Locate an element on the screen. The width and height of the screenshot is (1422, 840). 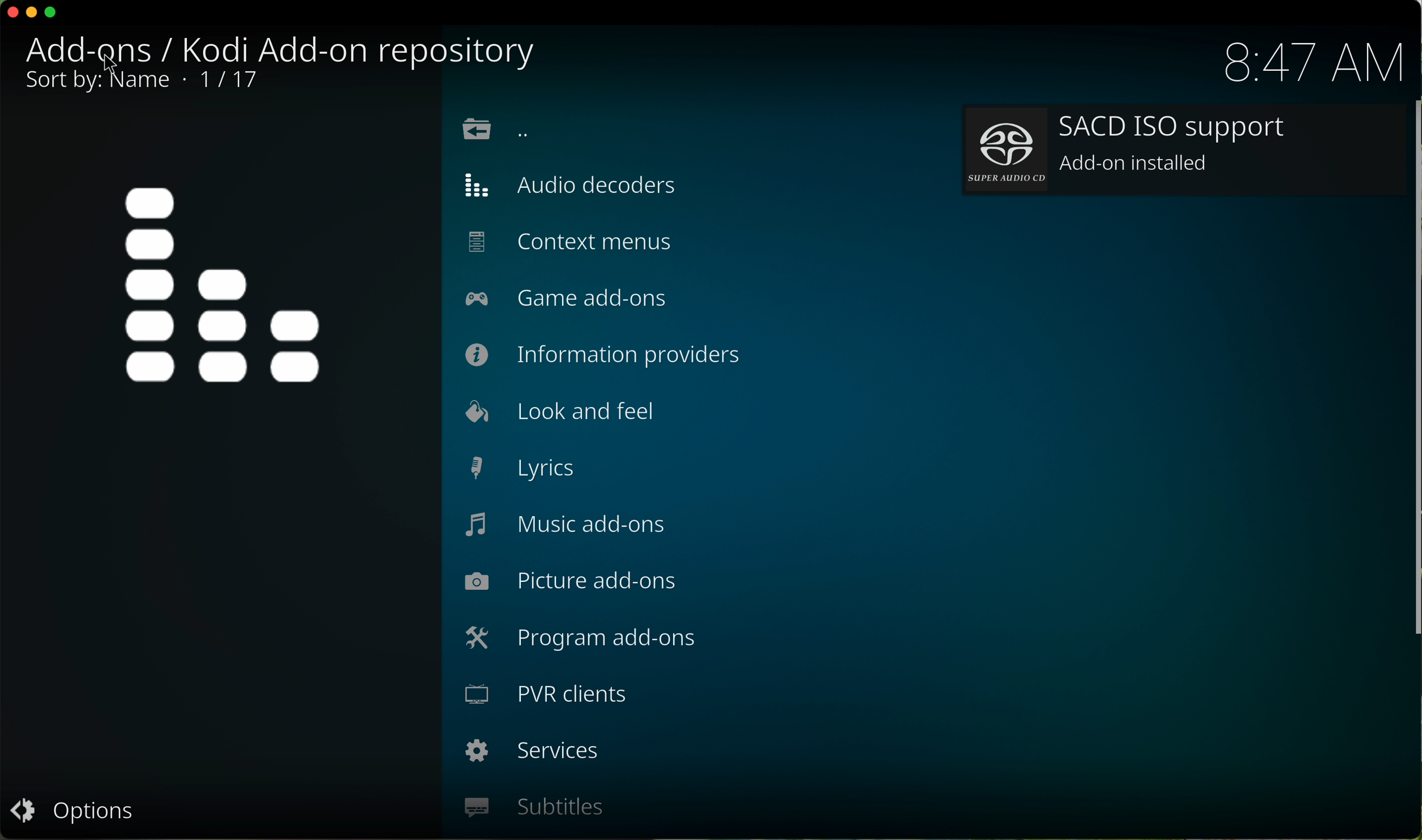
information providers is located at coordinates (602, 354).